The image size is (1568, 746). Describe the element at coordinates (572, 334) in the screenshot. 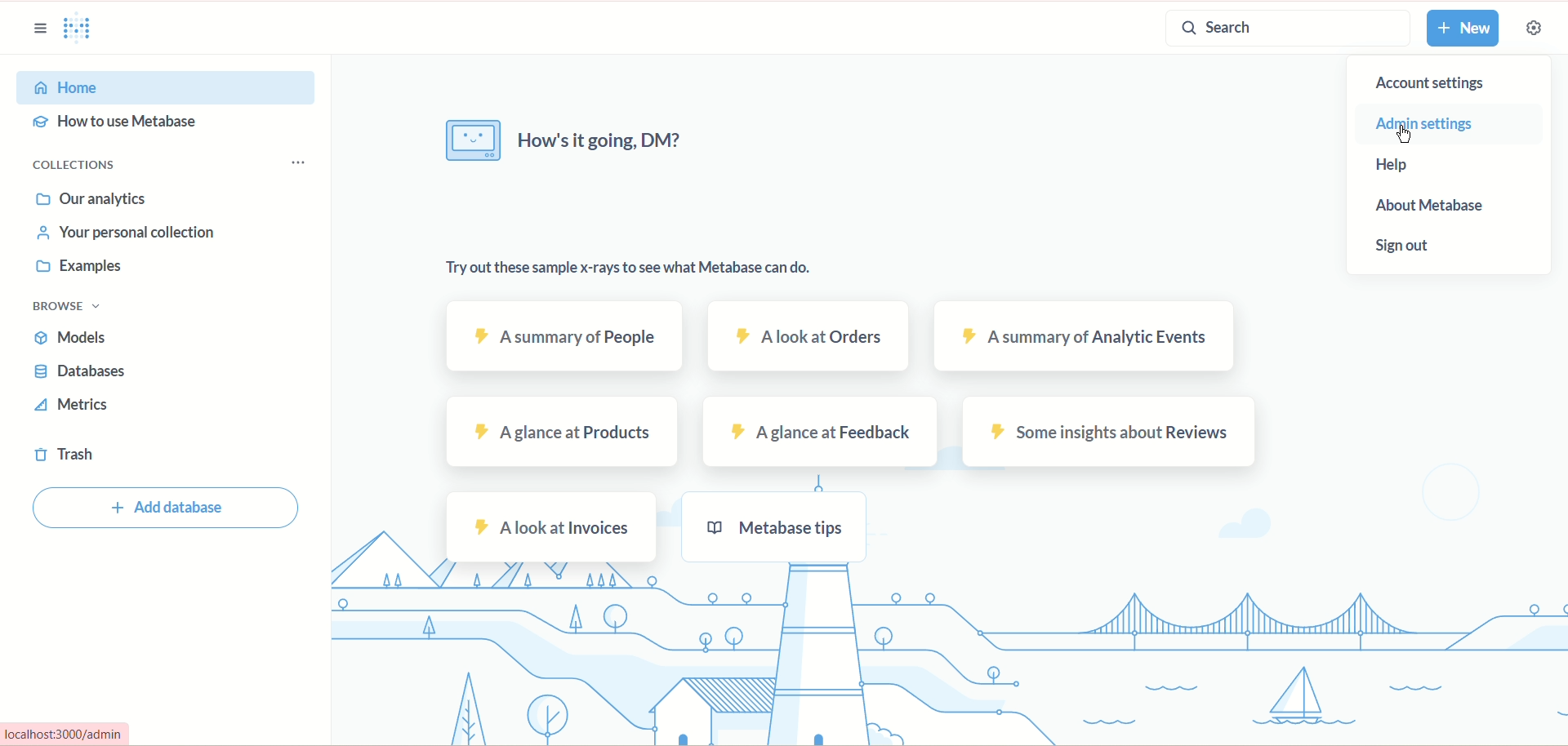

I see `a summary of people` at that location.